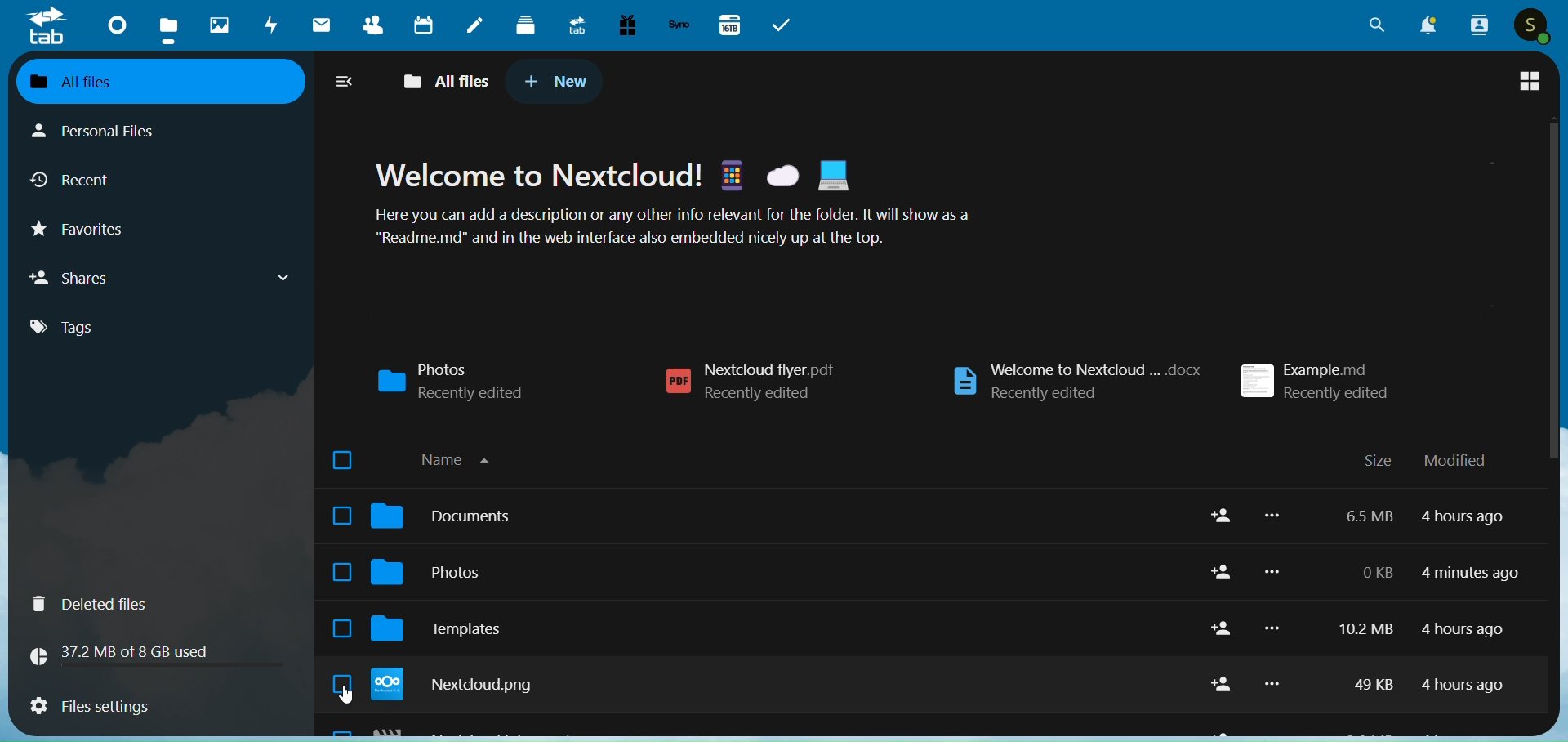  I want to click on activity, so click(267, 25).